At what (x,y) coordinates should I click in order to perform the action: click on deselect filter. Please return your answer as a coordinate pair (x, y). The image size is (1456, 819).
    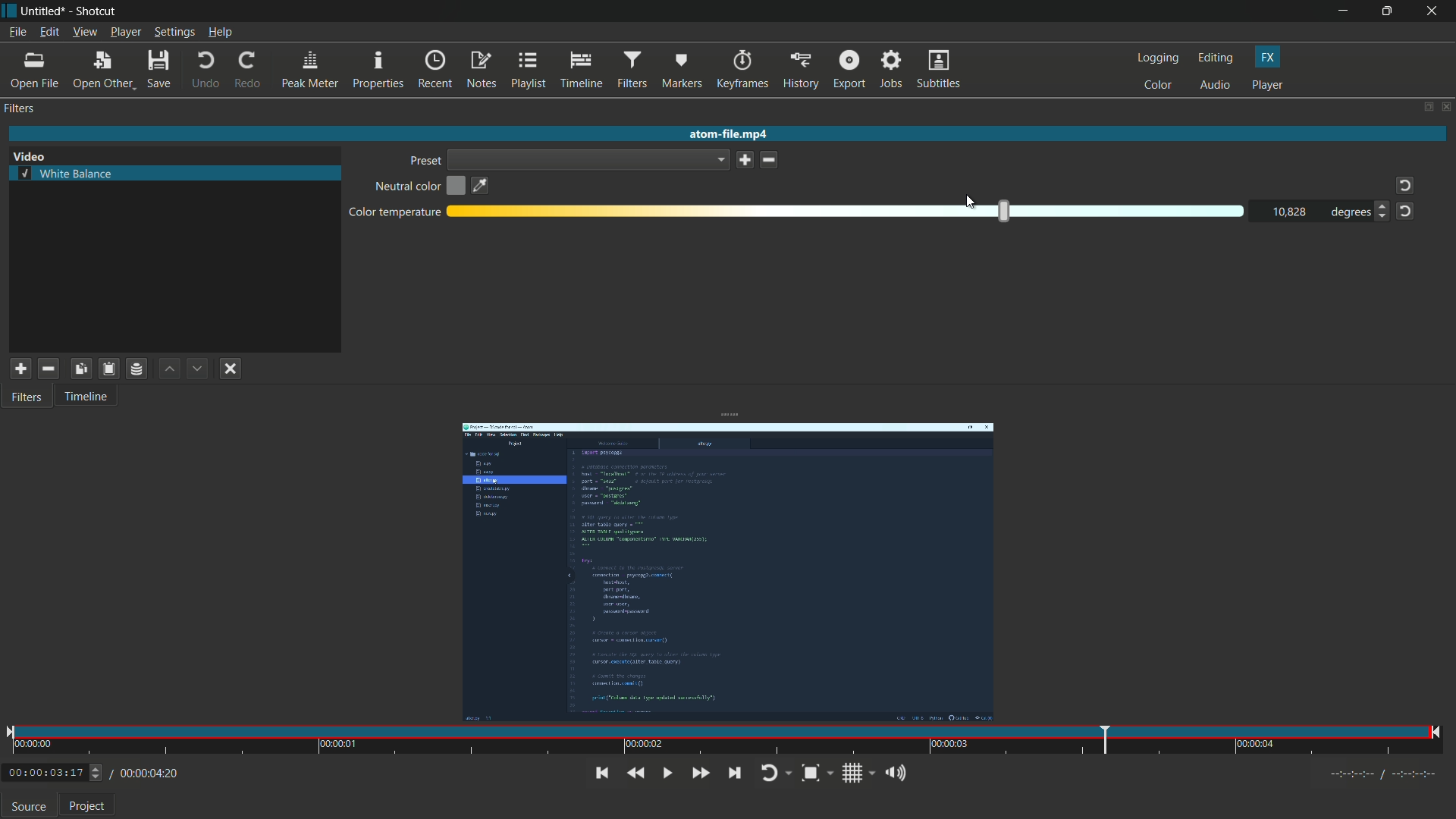
    Looking at the image, I should click on (231, 369).